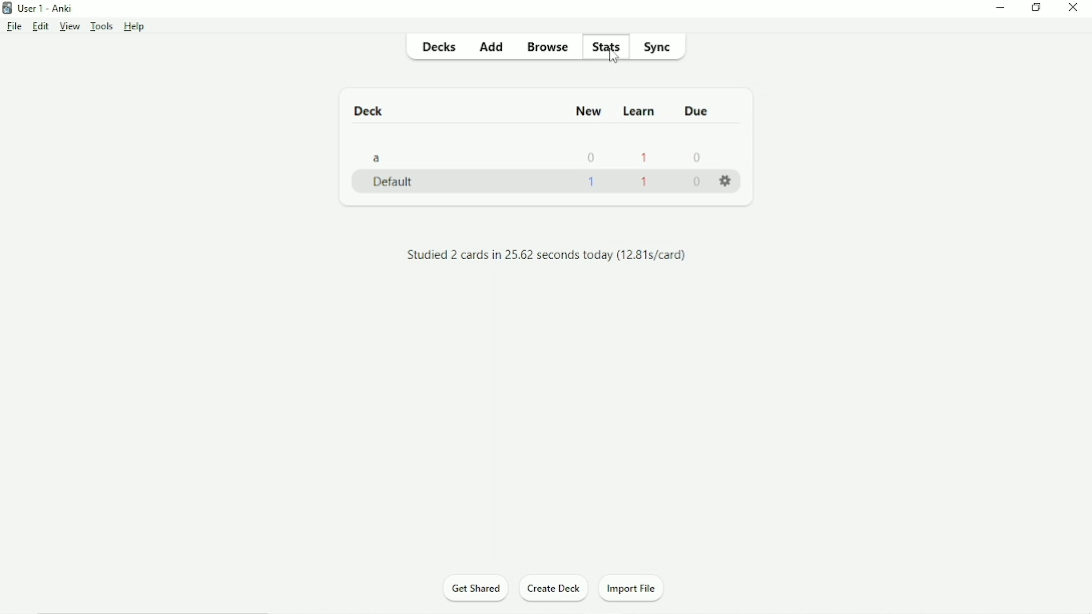 The width and height of the screenshot is (1092, 614). What do you see at coordinates (14, 28) in the screenshot?
I see `File` at bounding box center [14, 28].